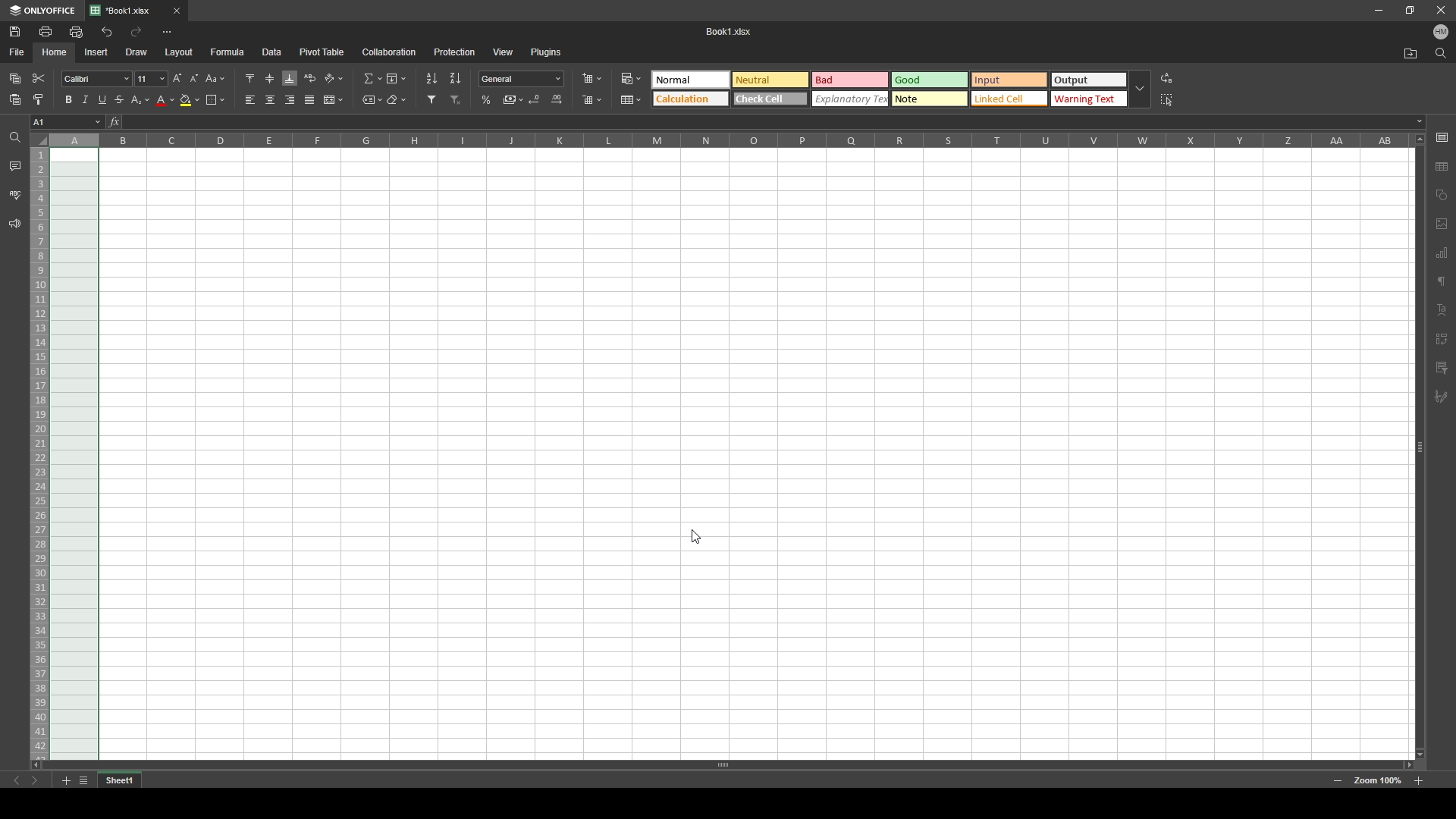 The height and width of the screenshot is (819, 1456). Describe the element at coordinates (38, 99) in the screenshot. I see `copy style` at that location.